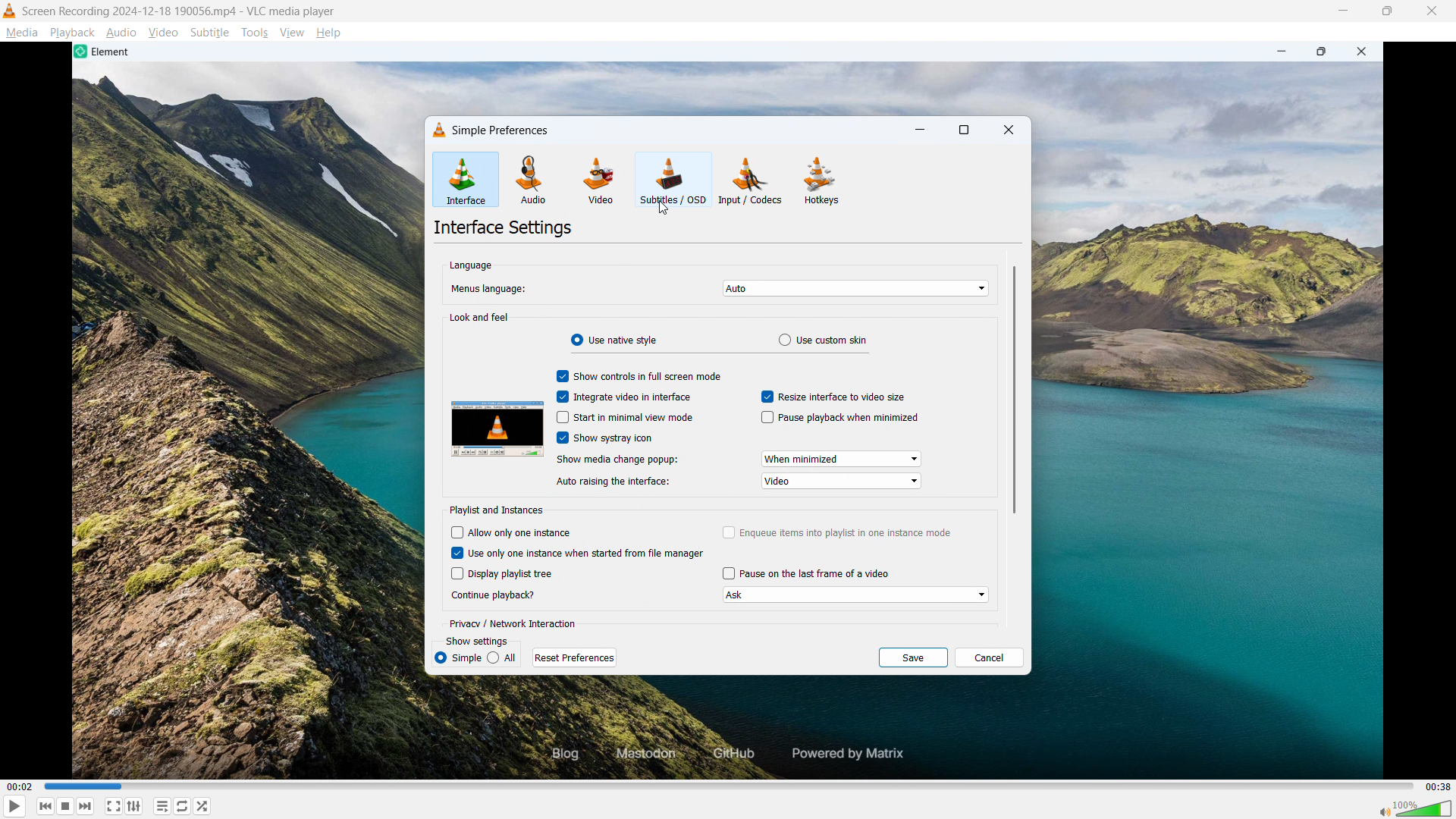 Image resolution: width=1456 pixels, height=819 pixels. What do you see at coordinates (162, 806) in the screenshot?
I see `Toggle playlist ` at bounding box center [162, 806].